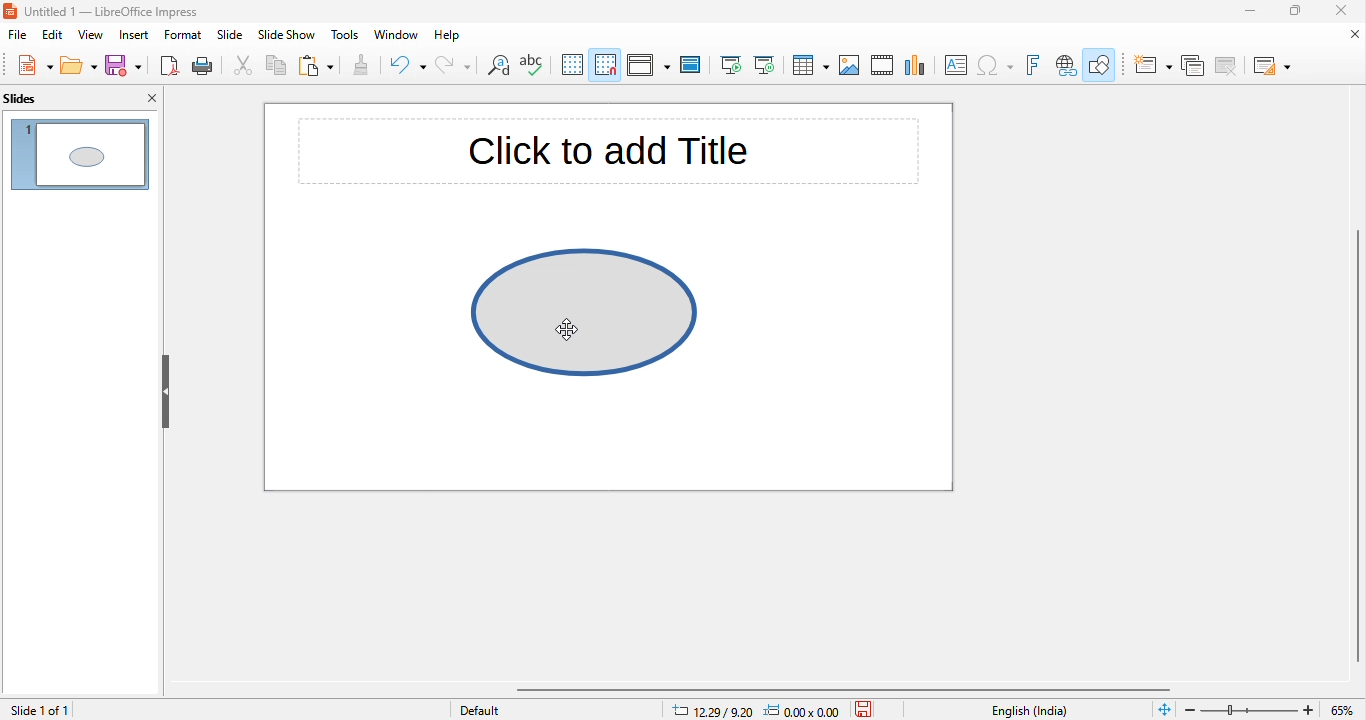 This screenshot has height=720, width=1366. I want to click on close, so click(152, 99).